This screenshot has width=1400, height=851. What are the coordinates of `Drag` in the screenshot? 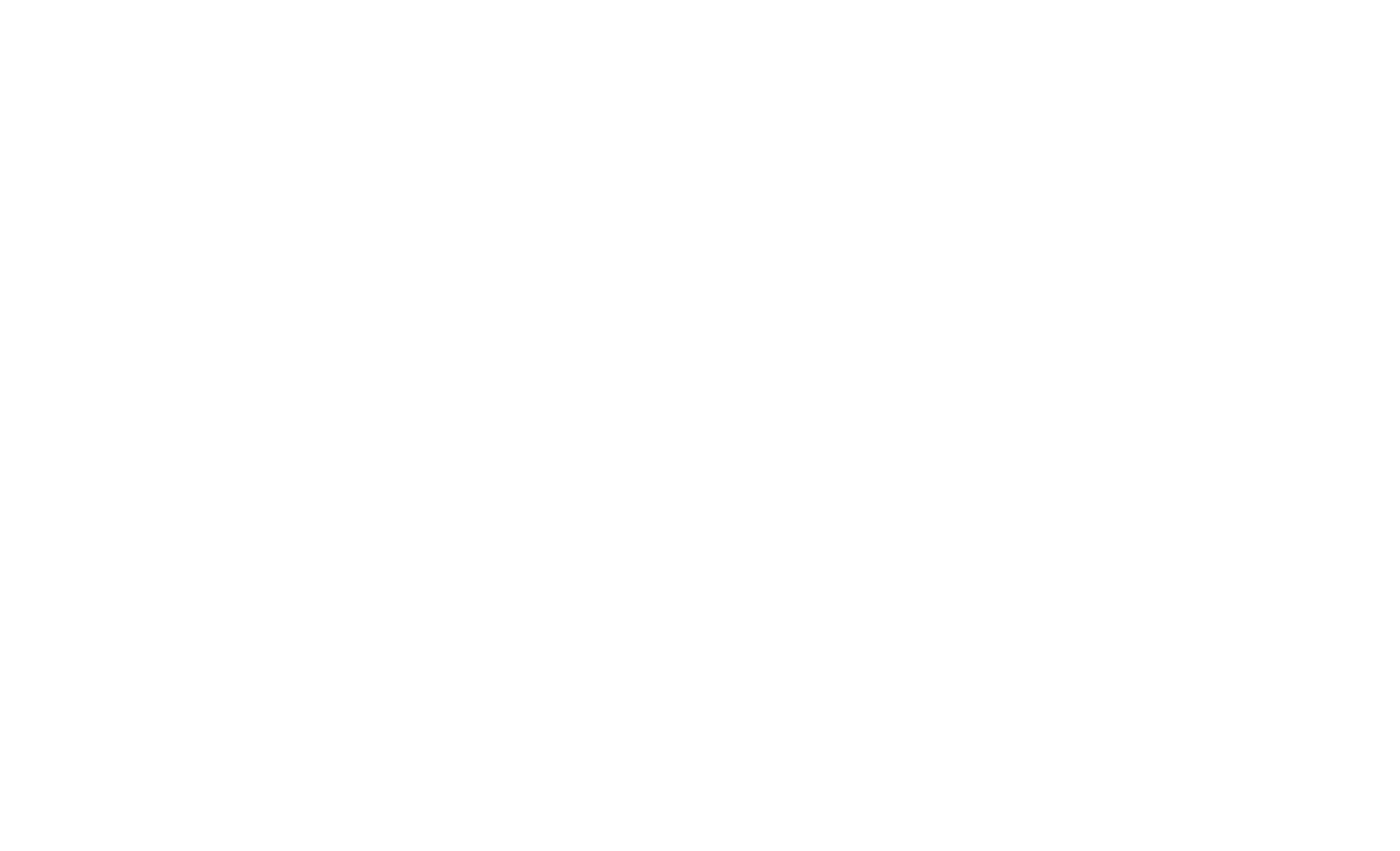 It's located at (250, 247).